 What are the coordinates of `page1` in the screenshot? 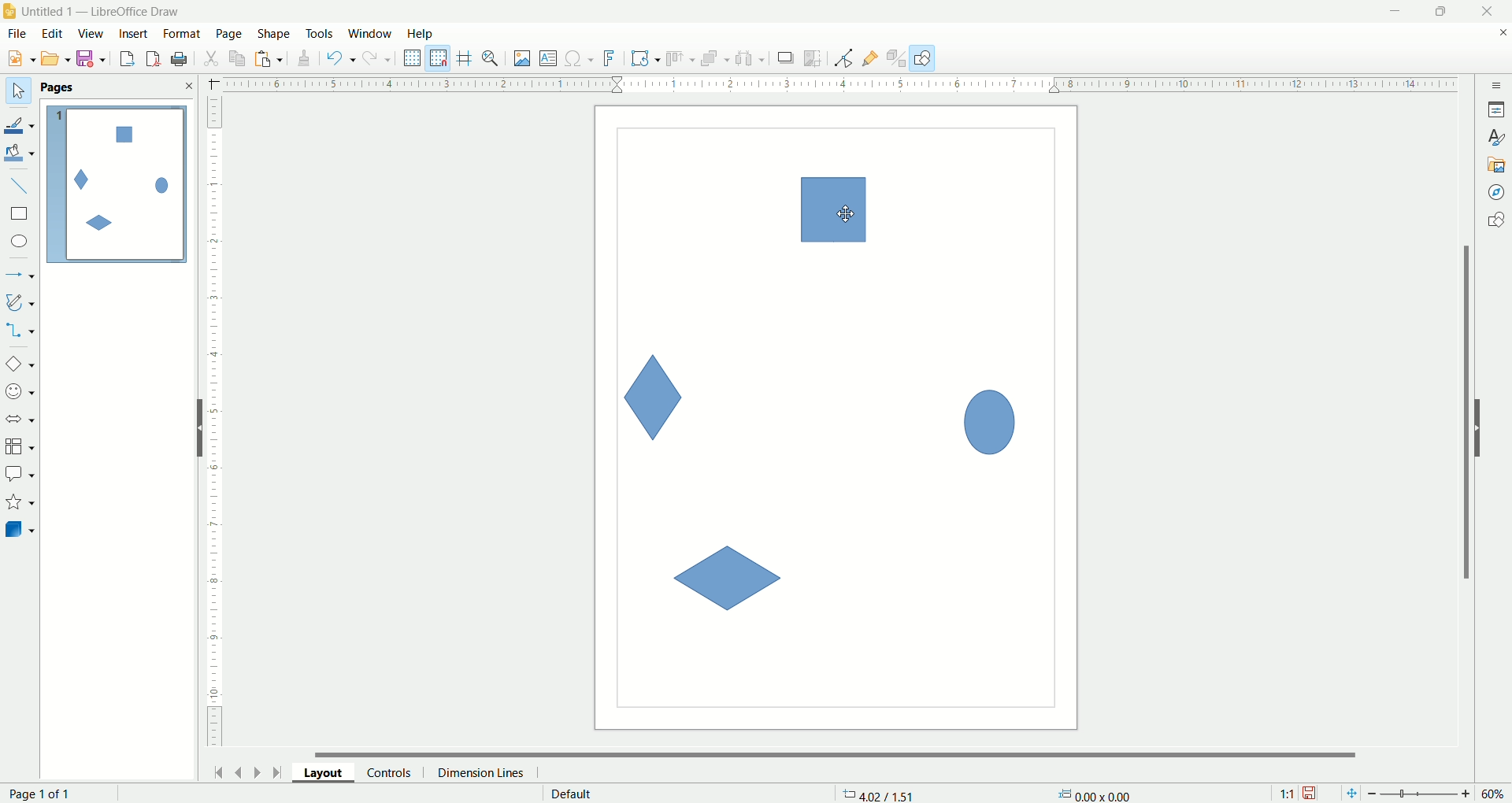 It's located at (117, 184).